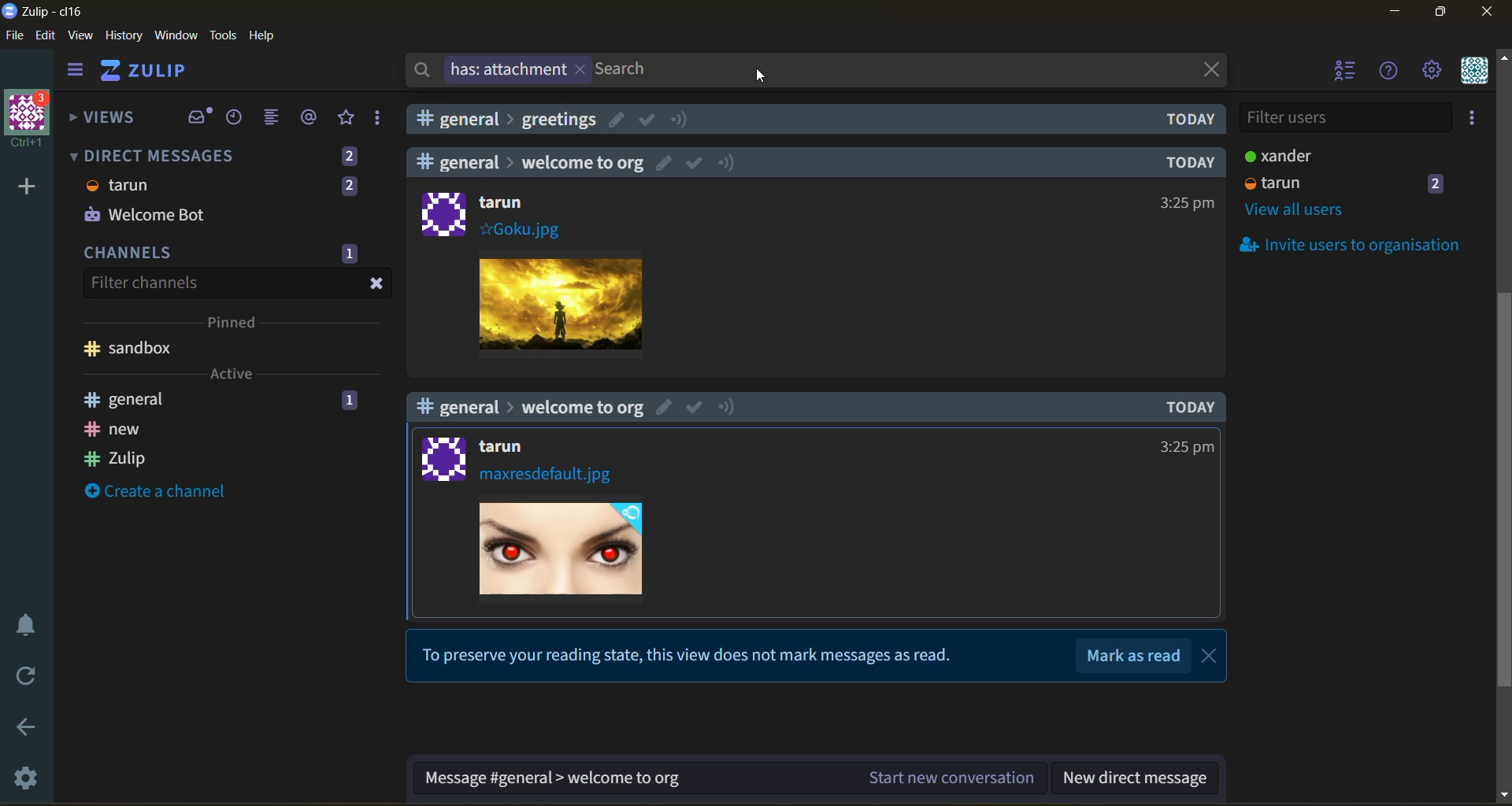 The height and width of the screenshot is (806, 1512). What do you see at coordinates (117, 457) in the screenshot?
I see `# Zulip` at bounding box center [117, 457].